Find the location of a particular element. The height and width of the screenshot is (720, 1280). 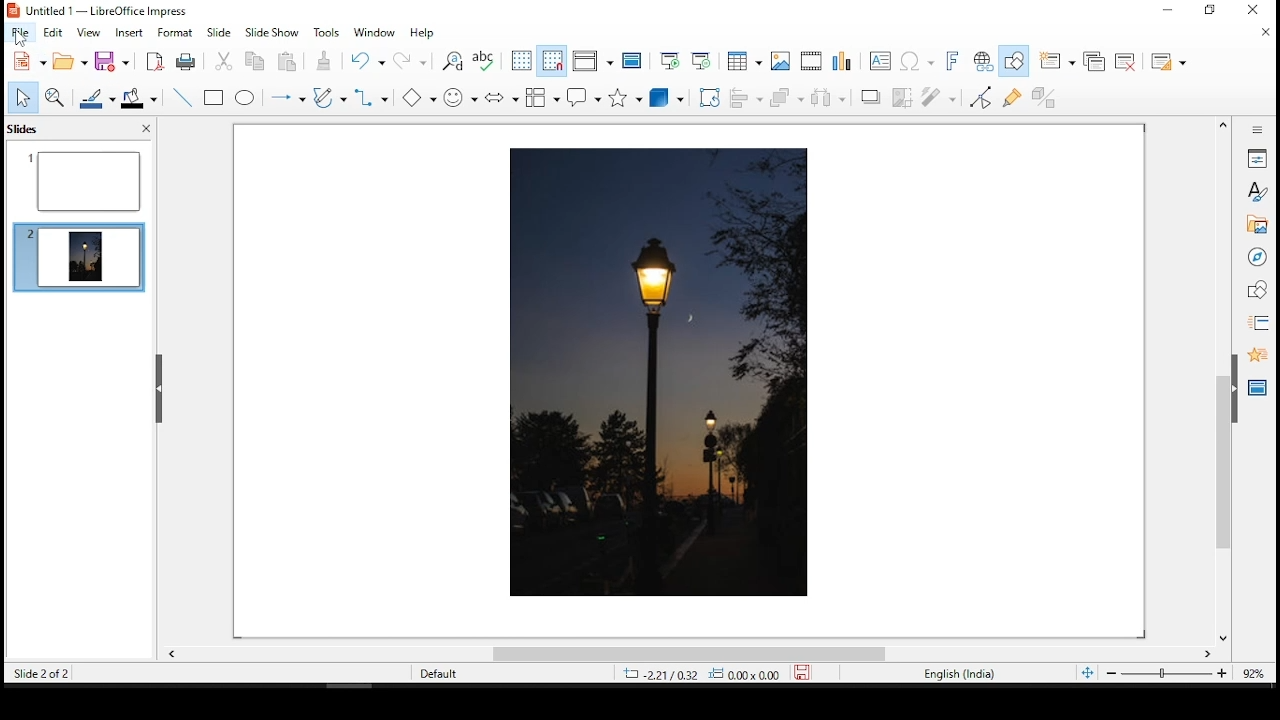

icon and file name is located at coordinates (114, 12).